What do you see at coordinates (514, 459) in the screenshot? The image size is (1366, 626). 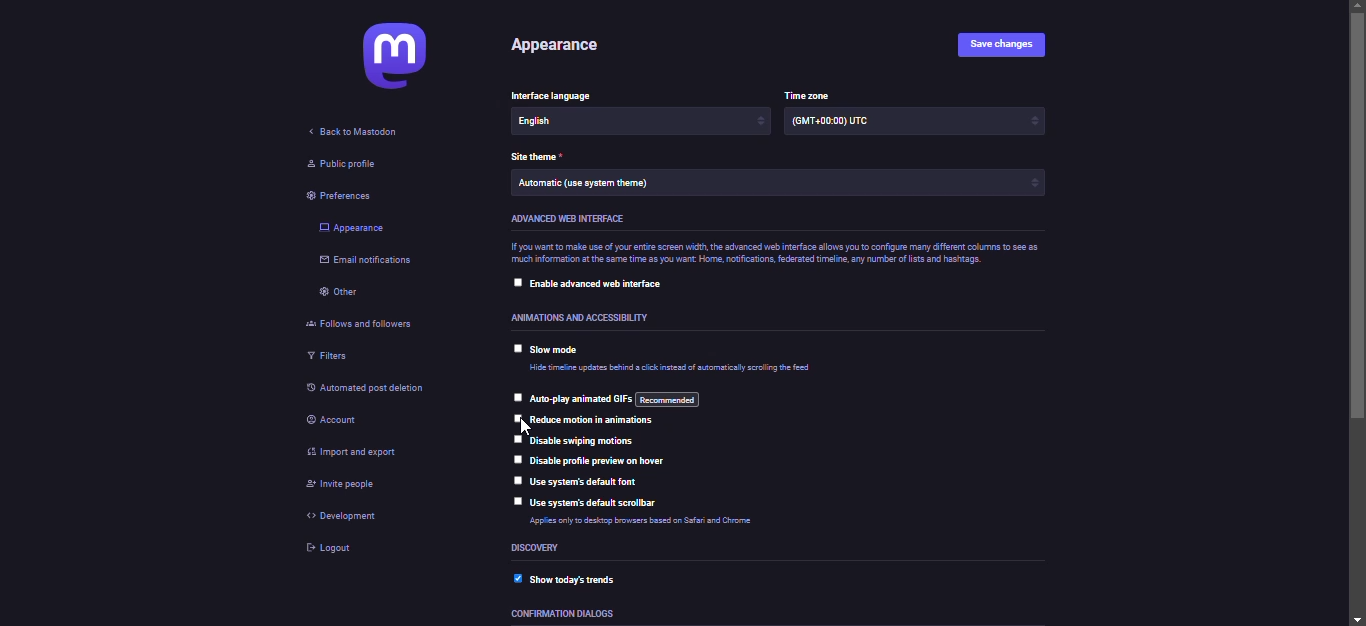 I see `click to select` at bounding box center [514, 459].